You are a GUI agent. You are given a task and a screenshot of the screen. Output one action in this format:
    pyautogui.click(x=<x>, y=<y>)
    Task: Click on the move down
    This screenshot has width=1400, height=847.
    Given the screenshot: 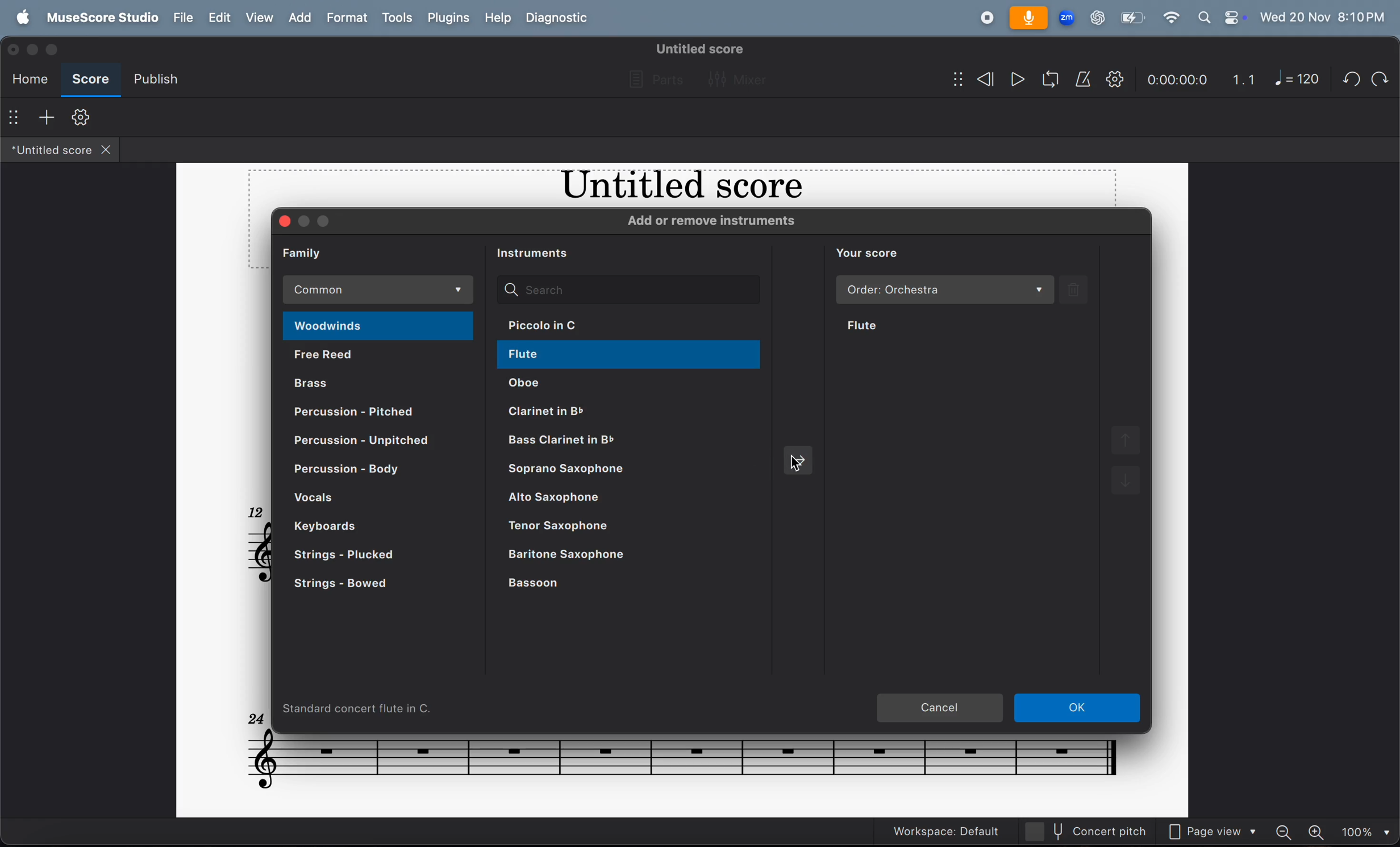 What is the action you would take?
    pyautogui.click(x=1127, y=485)
    